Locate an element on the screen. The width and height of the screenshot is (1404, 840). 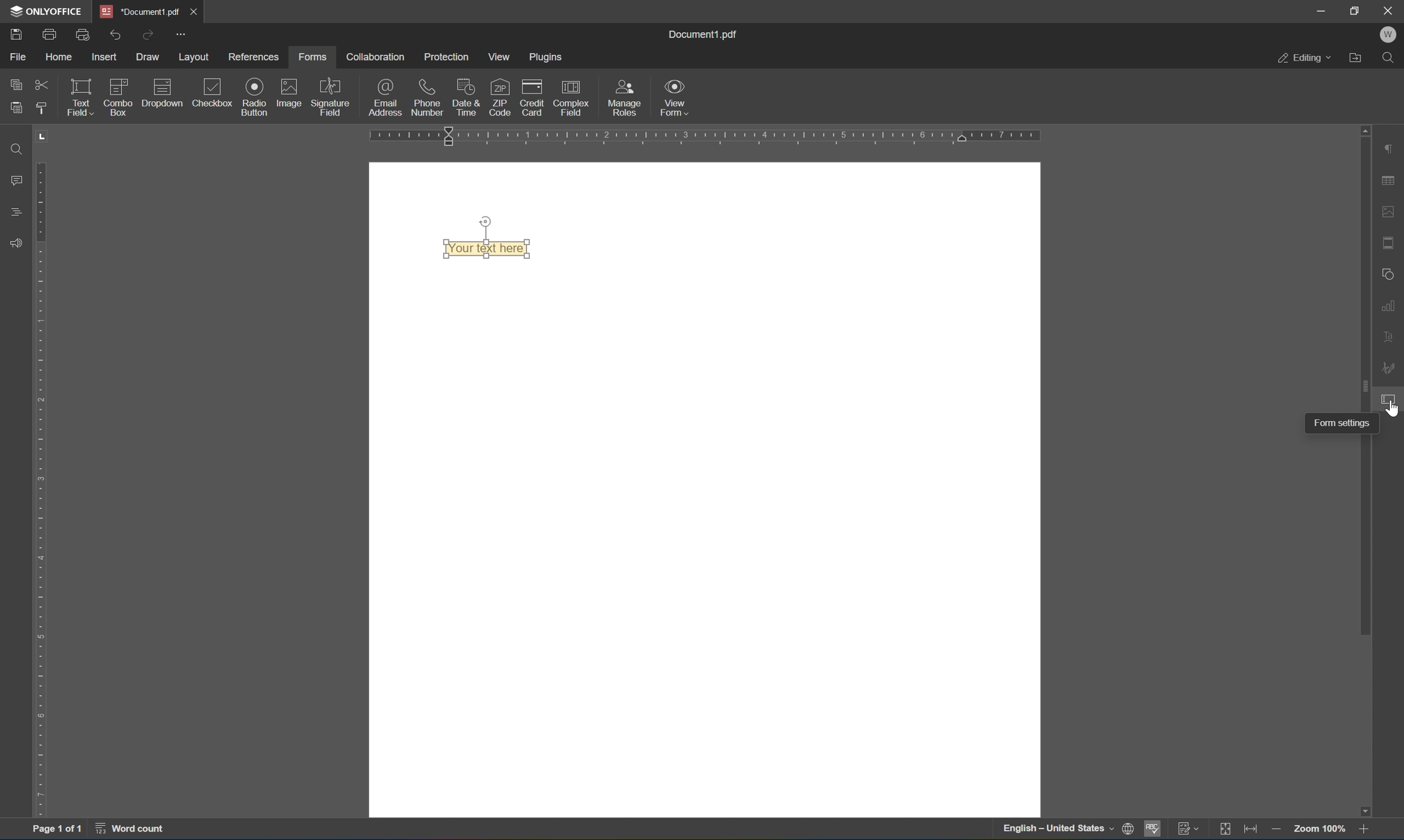
collaboration is located at coordinates (377, 57).